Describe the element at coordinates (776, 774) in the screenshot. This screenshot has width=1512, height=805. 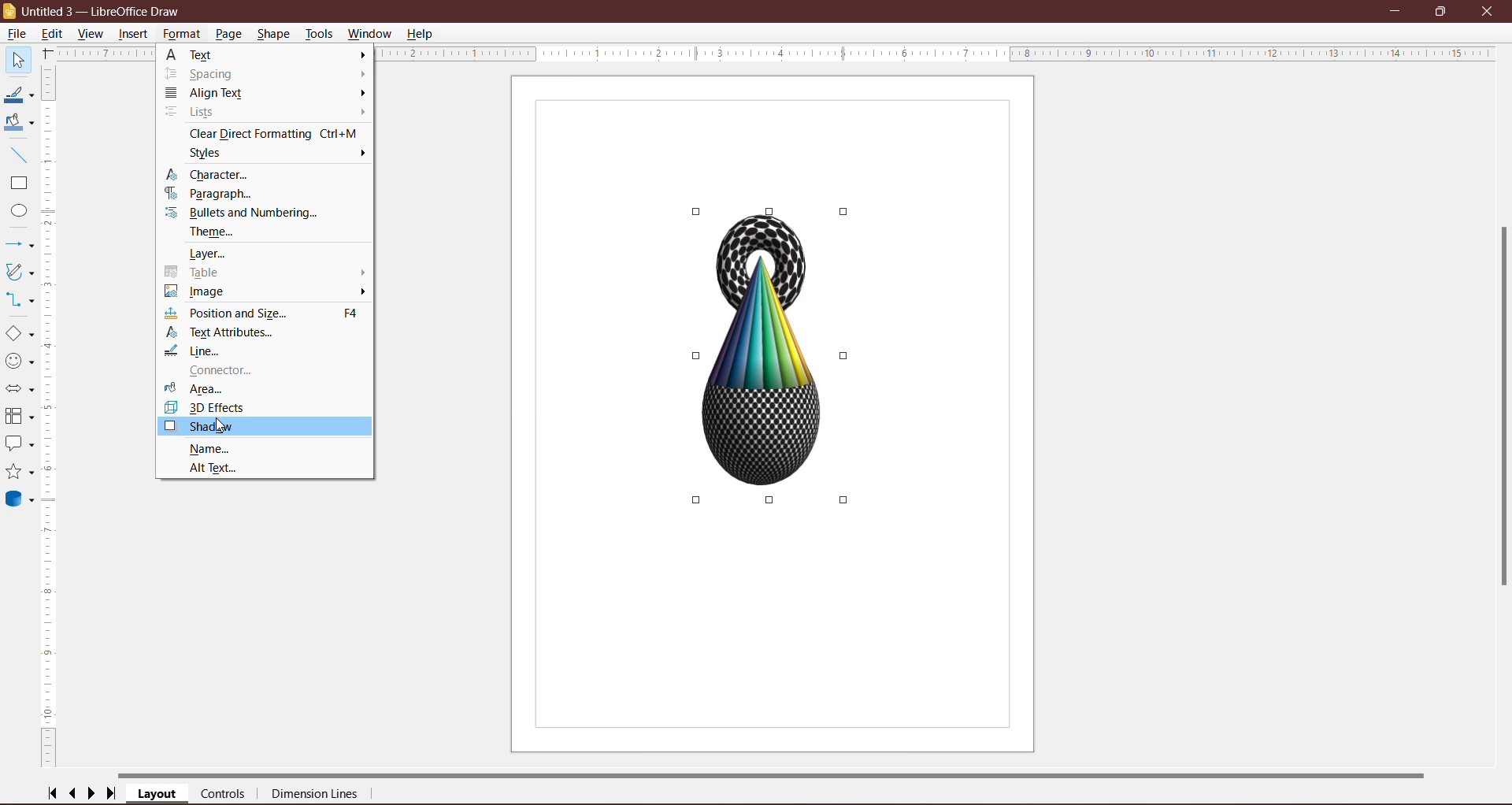
I see `Horizontal Scroll Bar` at that location.